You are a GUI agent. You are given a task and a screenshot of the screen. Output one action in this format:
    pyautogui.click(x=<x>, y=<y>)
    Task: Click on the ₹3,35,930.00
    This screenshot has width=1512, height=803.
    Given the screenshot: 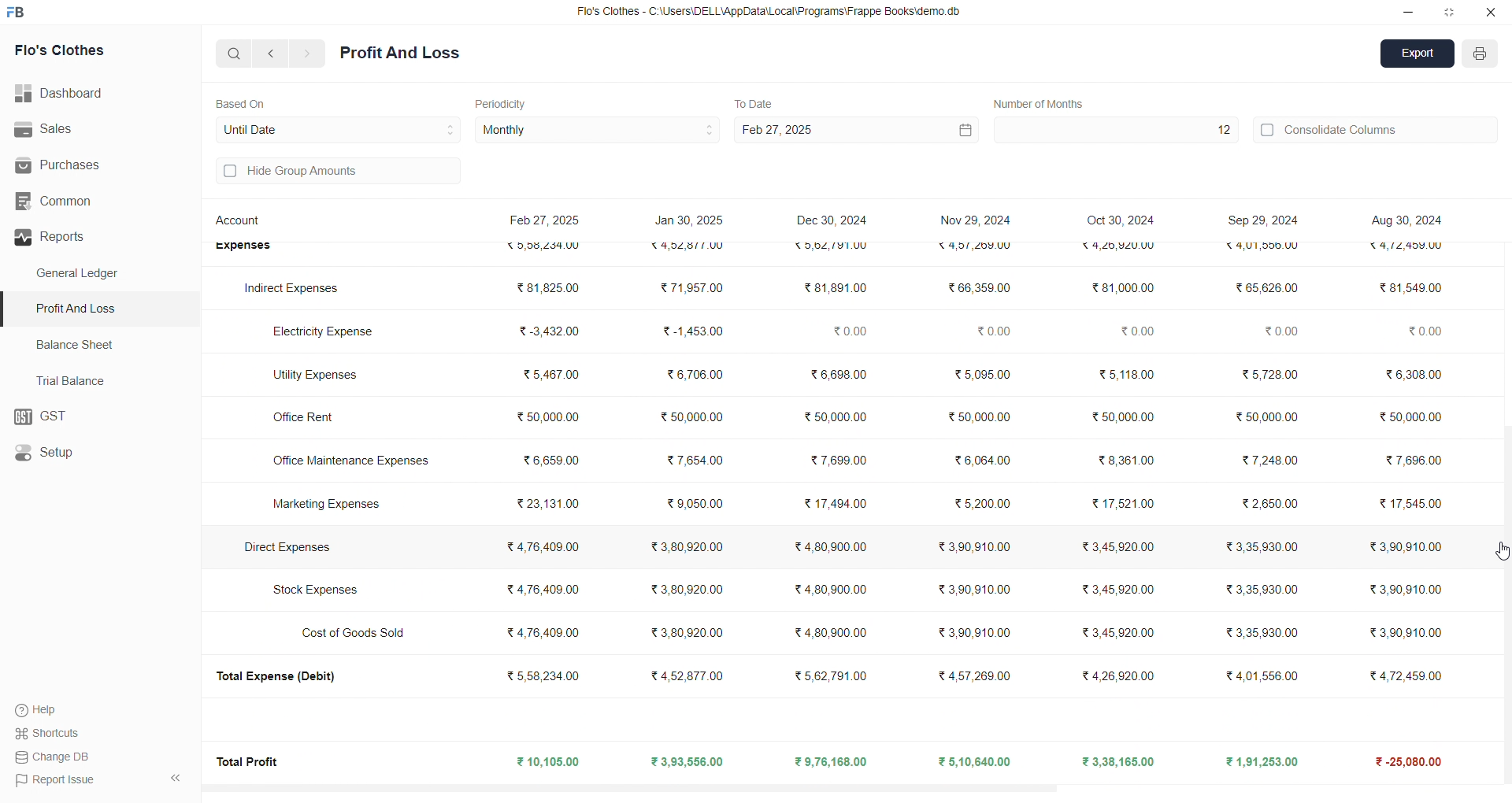 What is the action you would take?
    pyautogui.click(x=1255, y=546)
    